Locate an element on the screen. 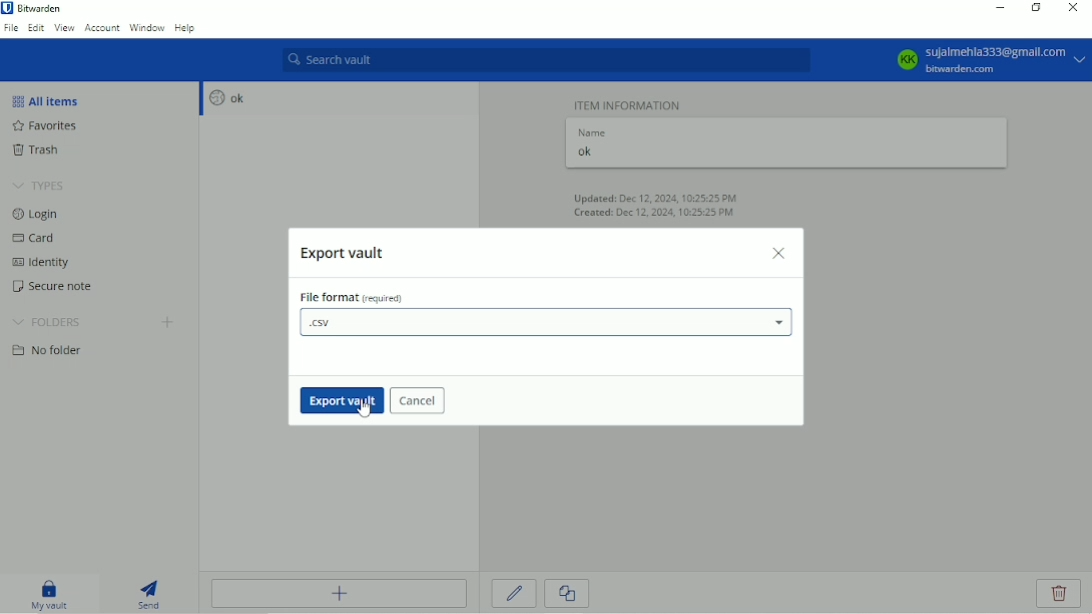  Edit is located at coordinates (36, 27).